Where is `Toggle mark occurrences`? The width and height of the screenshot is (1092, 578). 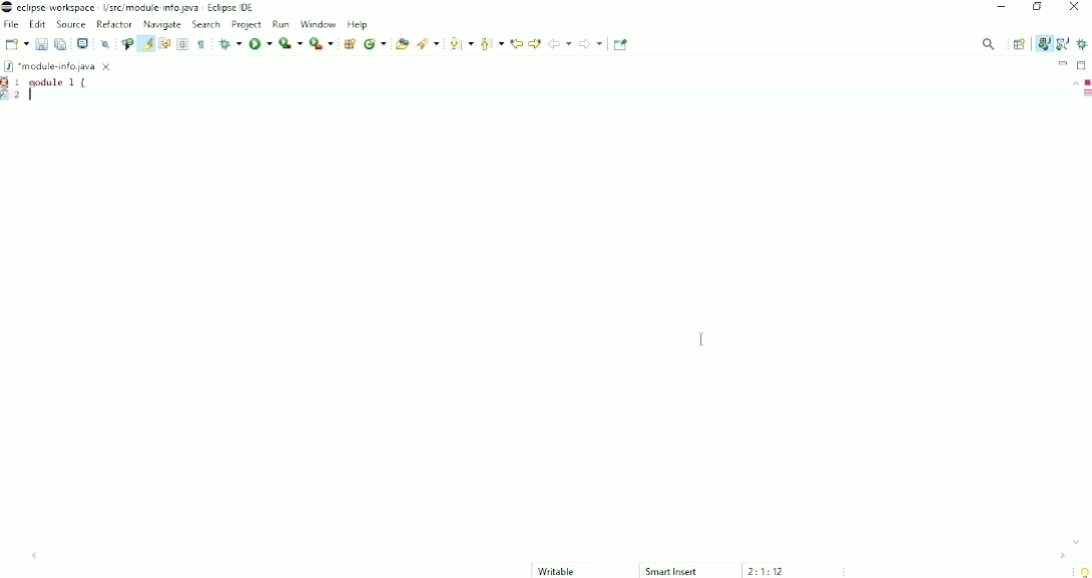
Toggle mark occurrences is located at coordinates (145, 43).